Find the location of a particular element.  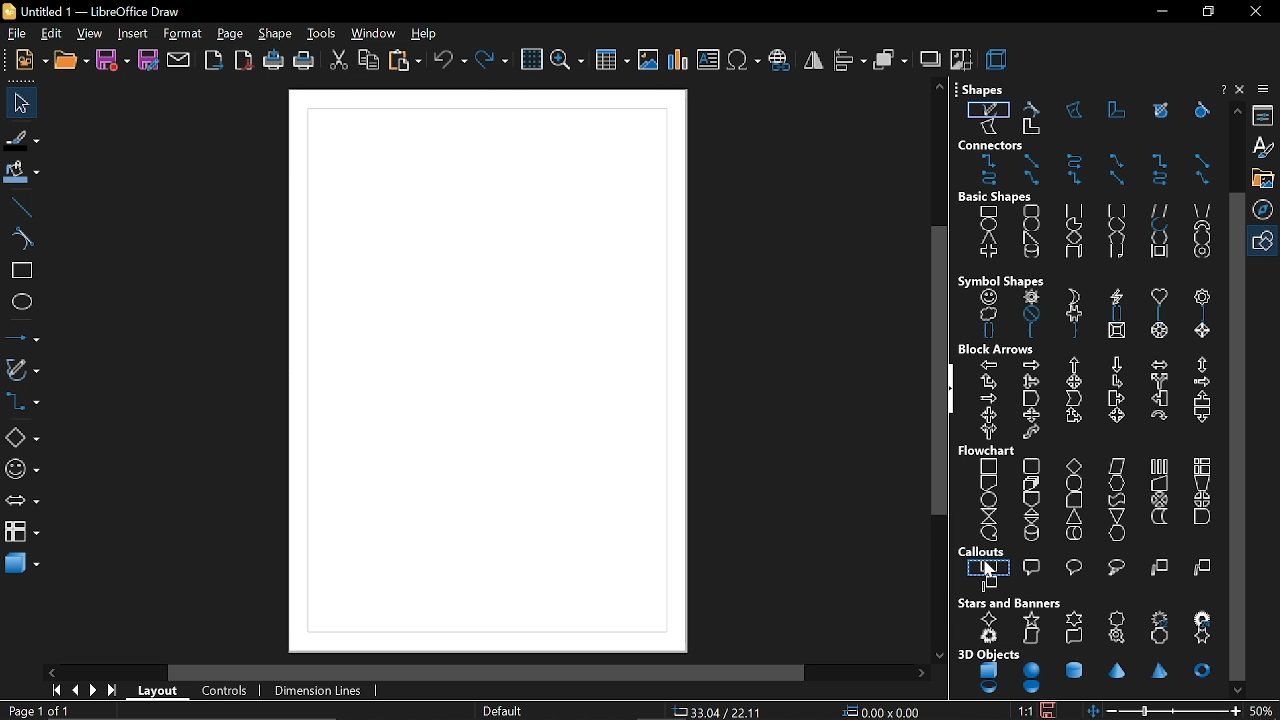

save is located at coordinates (1050, 710).